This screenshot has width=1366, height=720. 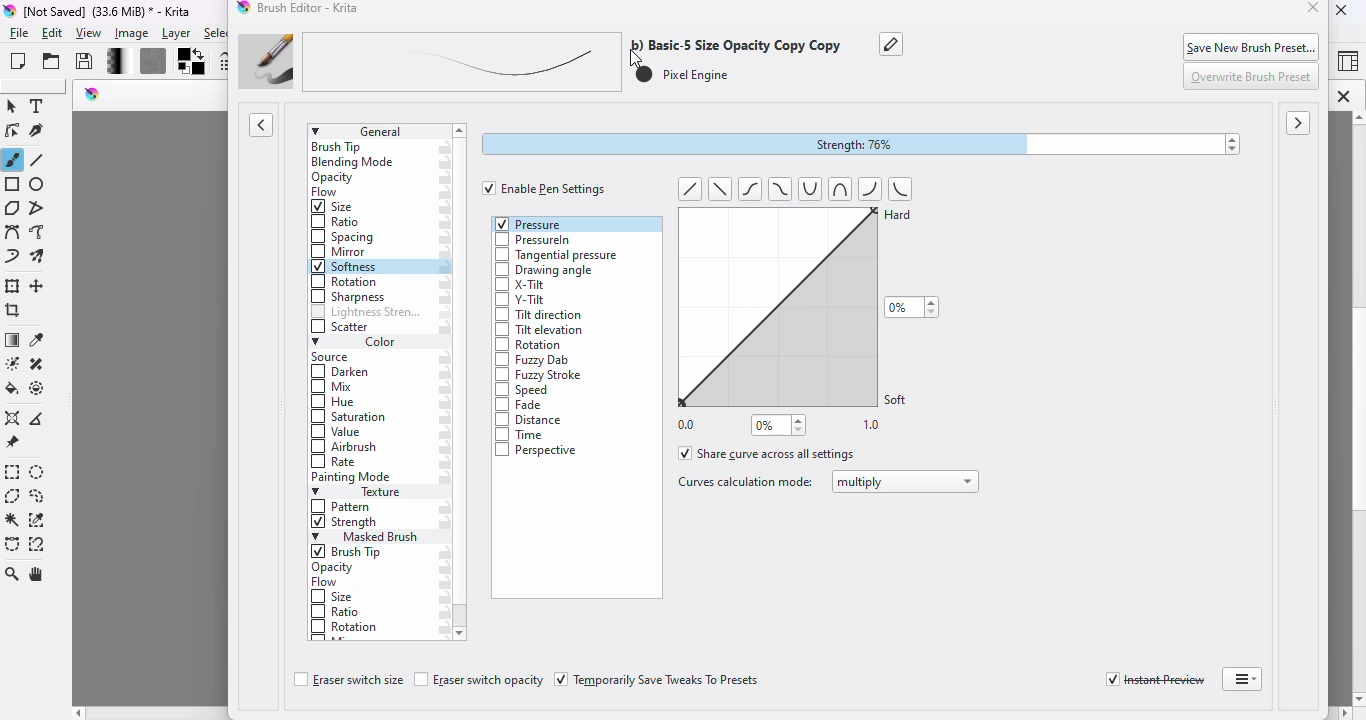 I want to click on logo, so click(x=93, y=94).